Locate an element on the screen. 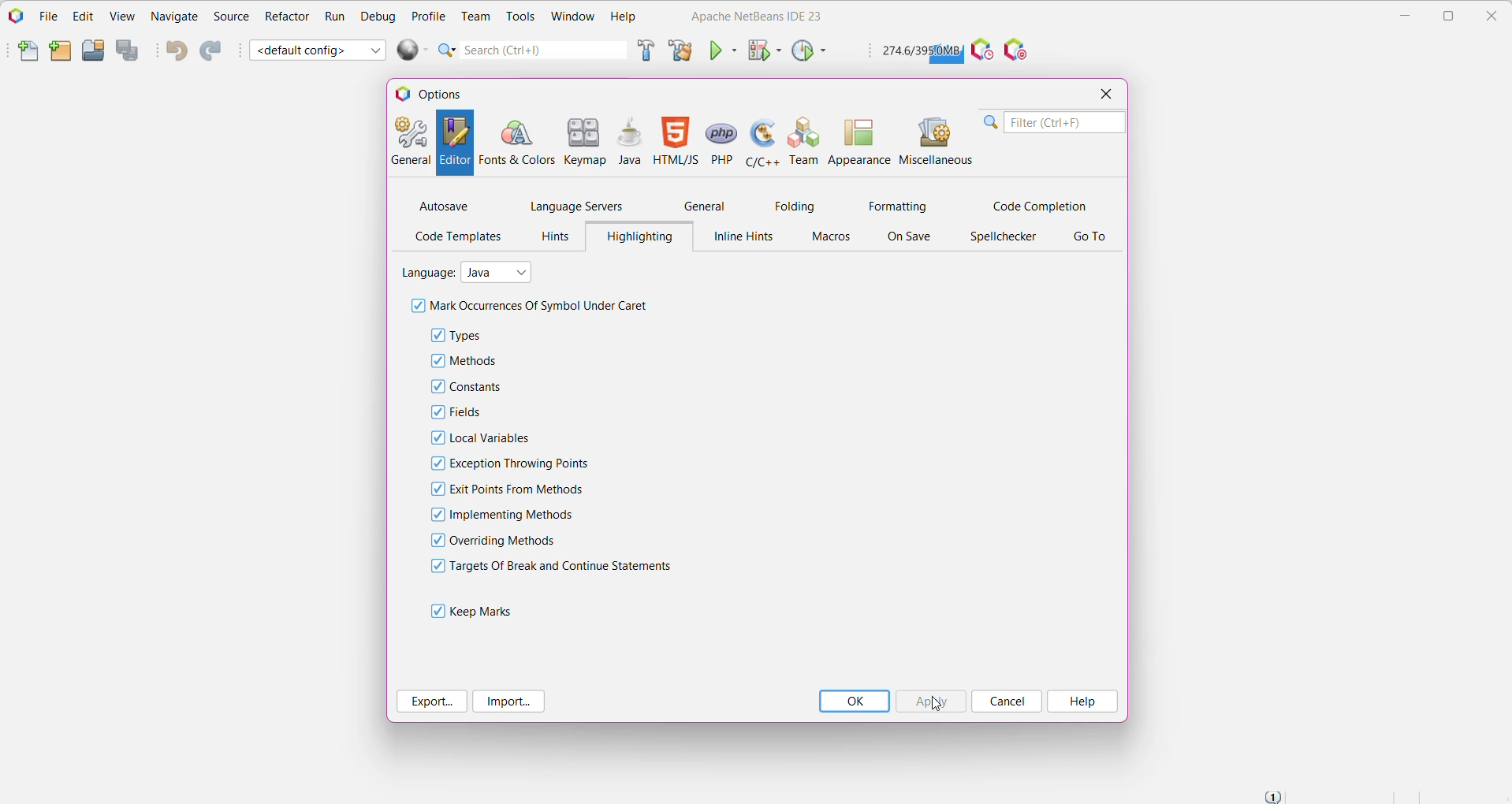 The image size is (1512, 804). Folding is located at coordinates (795, 206).